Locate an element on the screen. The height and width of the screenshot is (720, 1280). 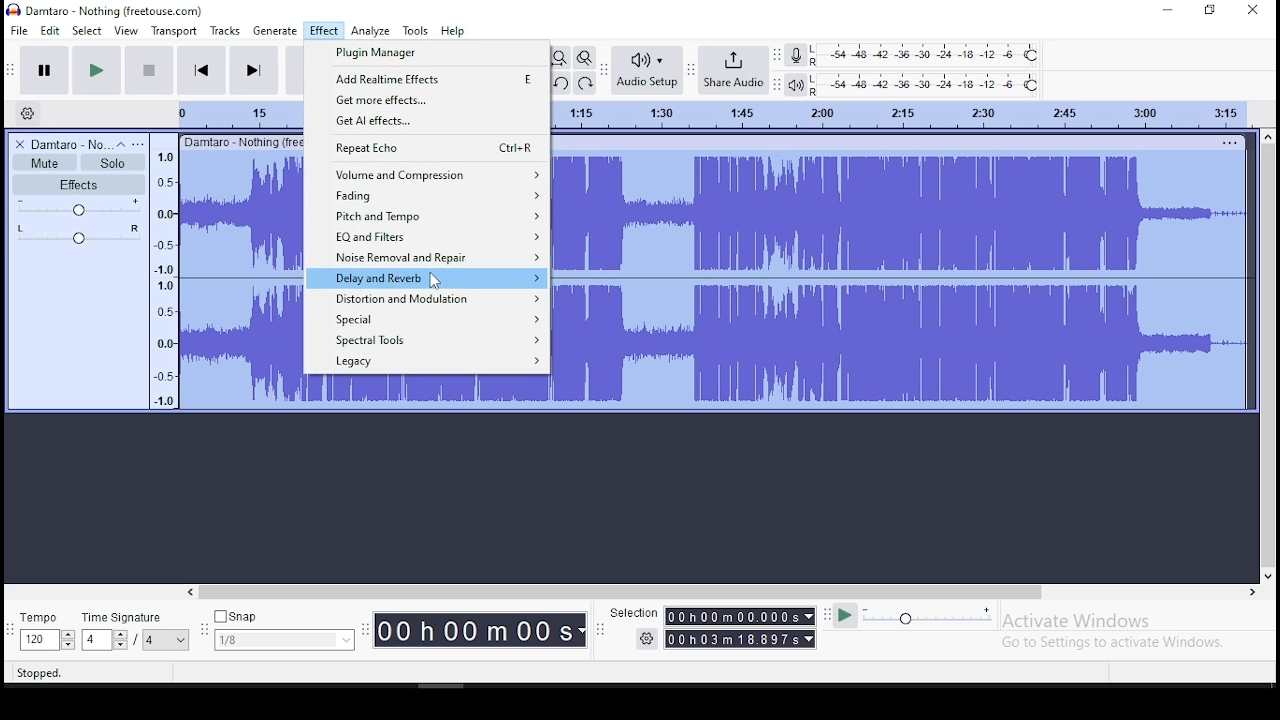
Go to Settings to activate Windows. is located at coordinates (1114, 644).